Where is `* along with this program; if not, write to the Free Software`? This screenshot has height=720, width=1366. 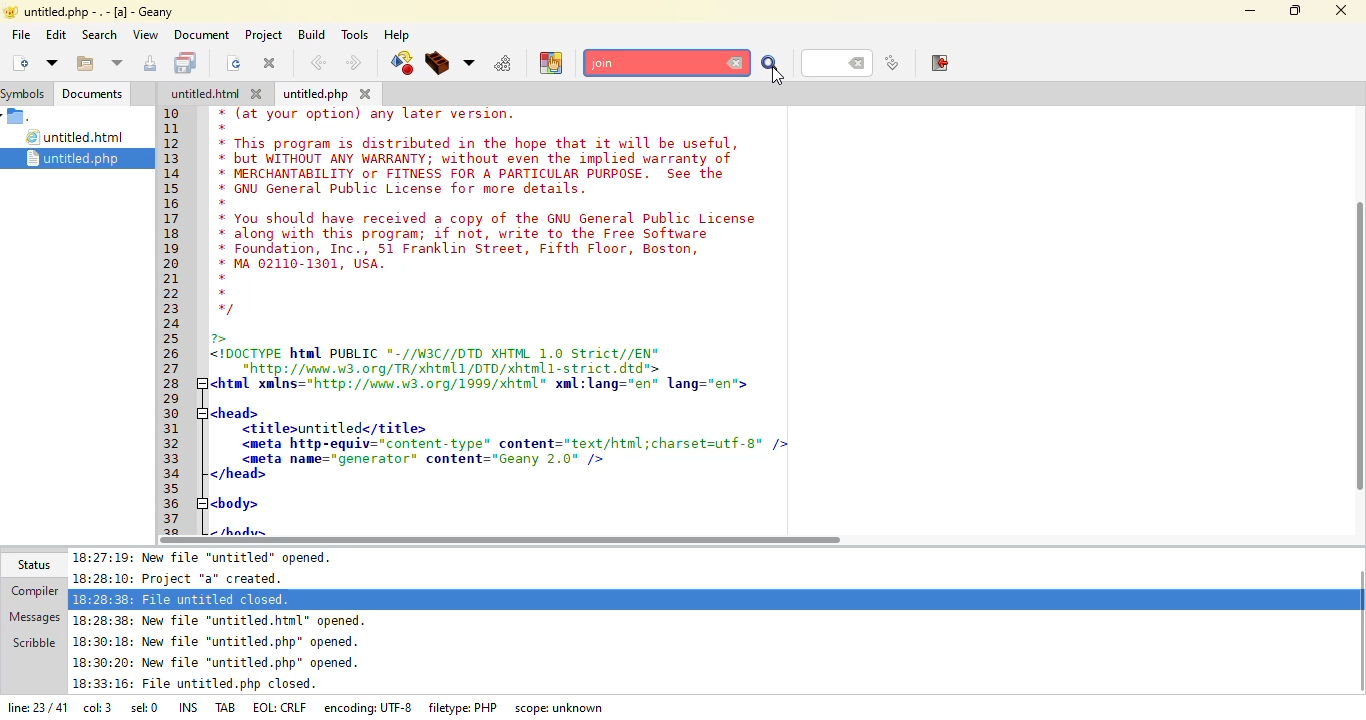
* along with this program; if not, write to the Free Software is located at coordinates (463, 235).